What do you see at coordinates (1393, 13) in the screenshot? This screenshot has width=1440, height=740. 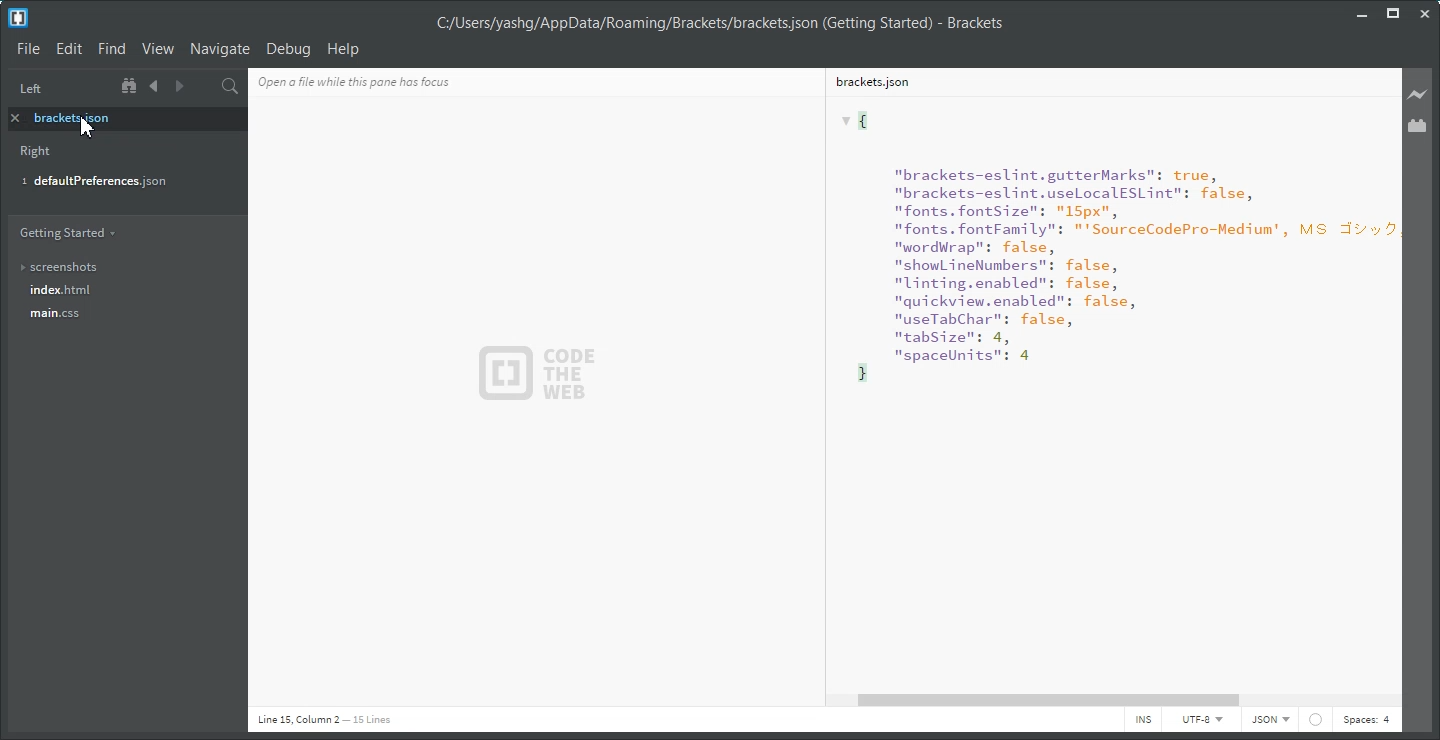 I see `Maximize` at bounding box center [1393, 13].